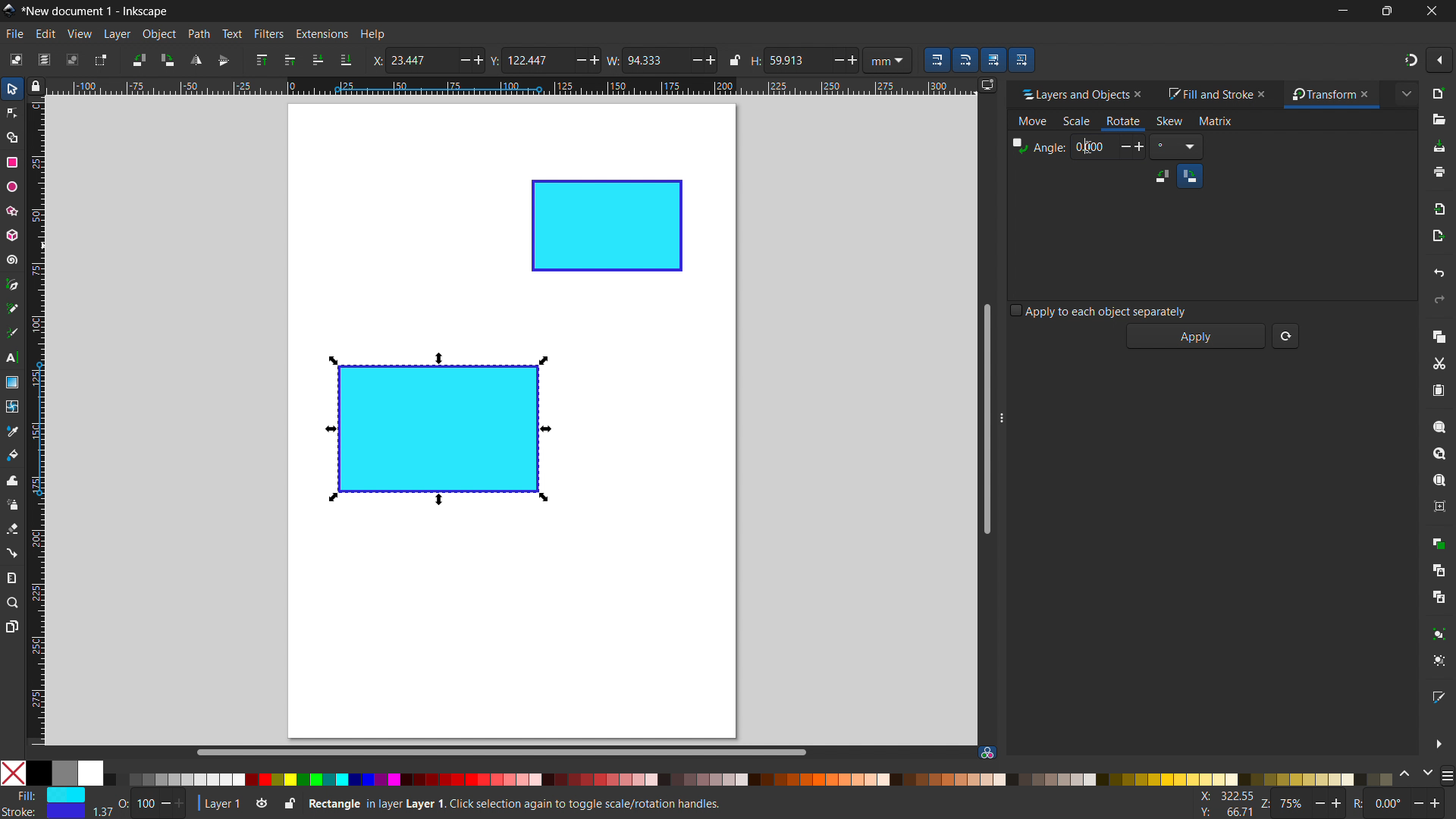 This screenshot has height=819, width=1456. What do you see at coordinates (510, 88) in the screenshot?
I see `horizontal ruler` at bounding box center [510, 88].